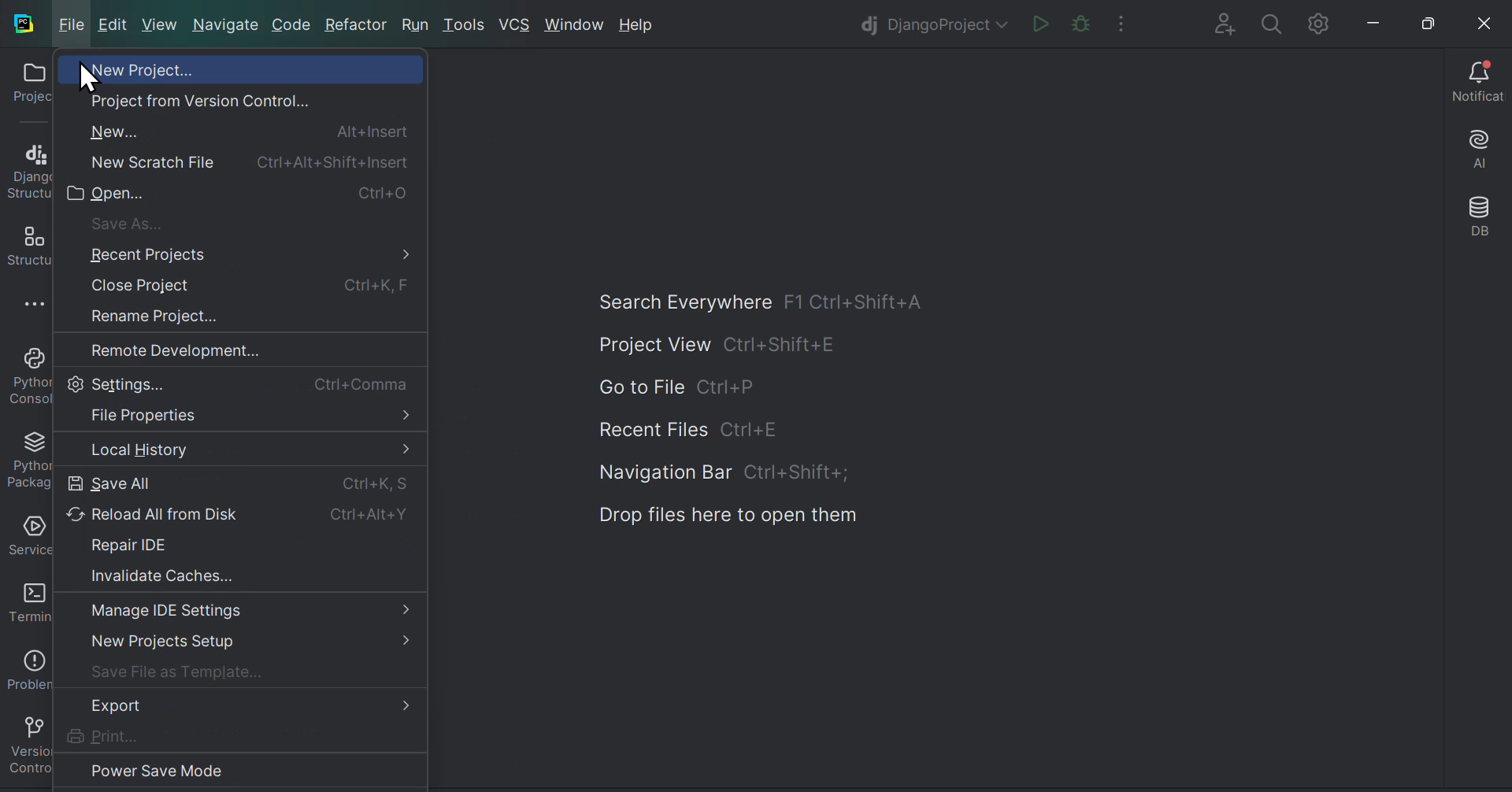 This screenshot has width=1512, height=792. What do you see at coordinates (73, 28) in the screenshot?
I see `File` at bounding box center [73, 28].